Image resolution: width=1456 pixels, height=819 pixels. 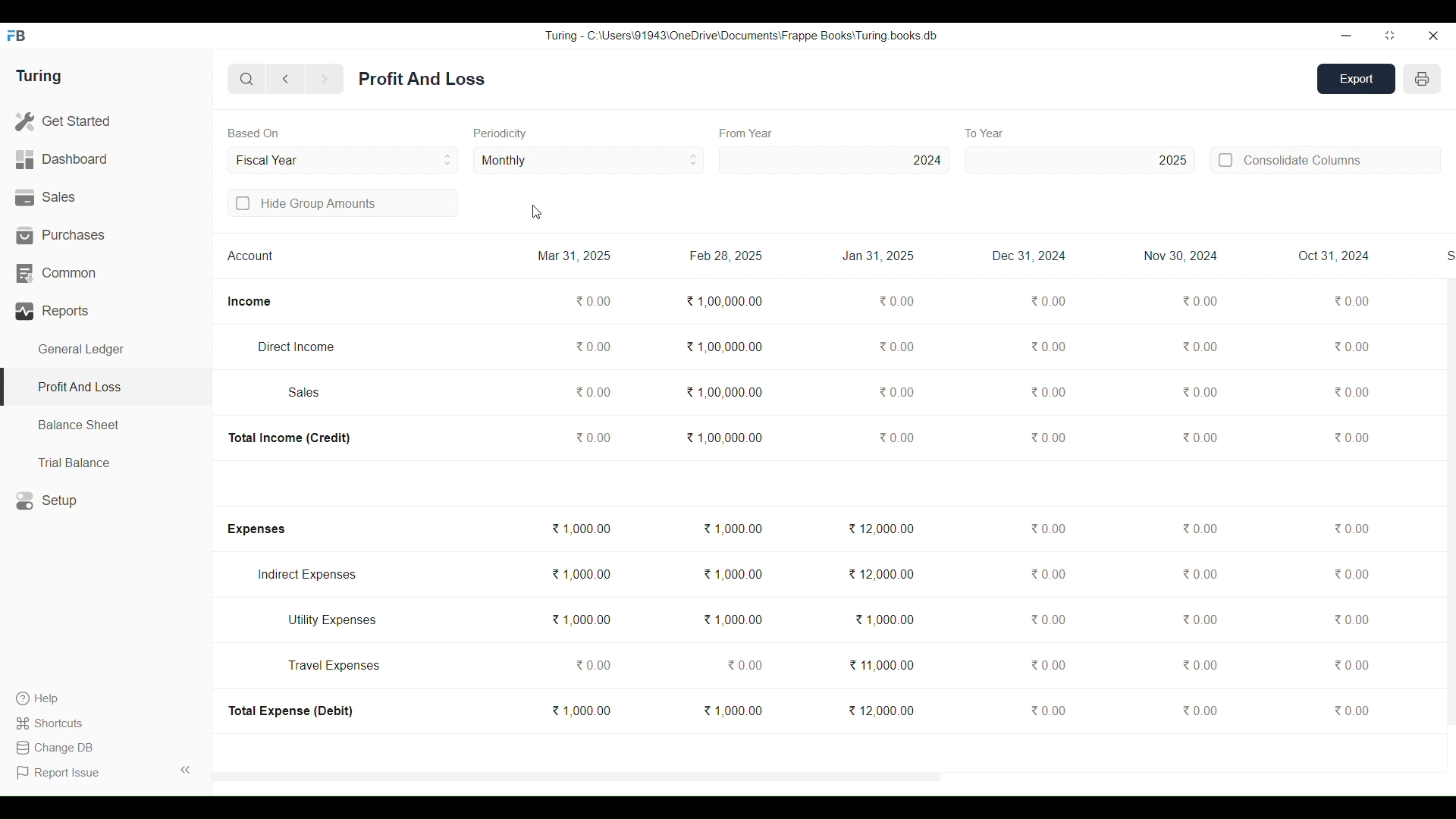 I want to click on 0.00, so click(x=592, y=438).